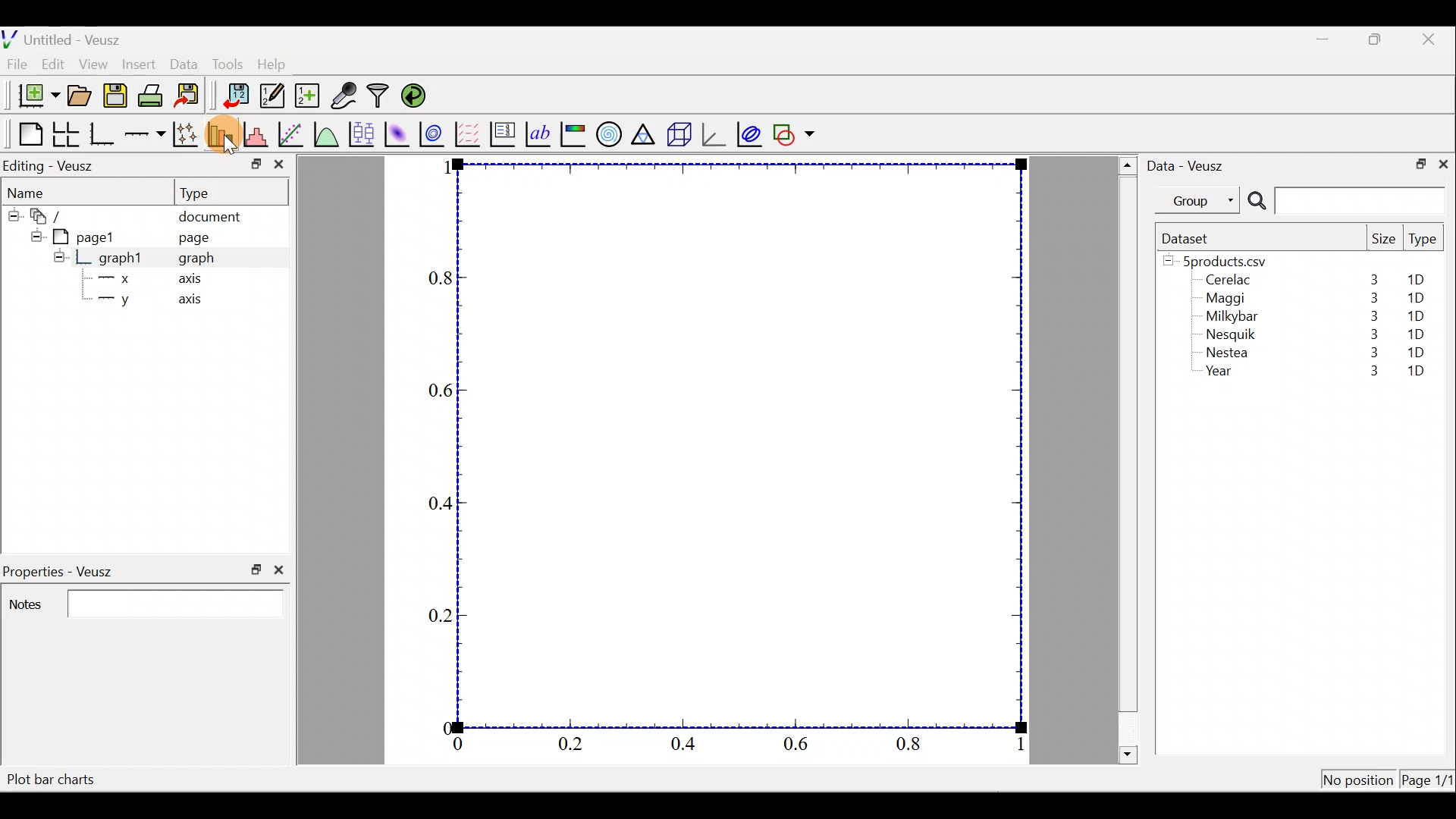 The image size is (1456, 819). Describe the element at coordinates (714, 133) in the screenshot. I see `3d graph` at that location.